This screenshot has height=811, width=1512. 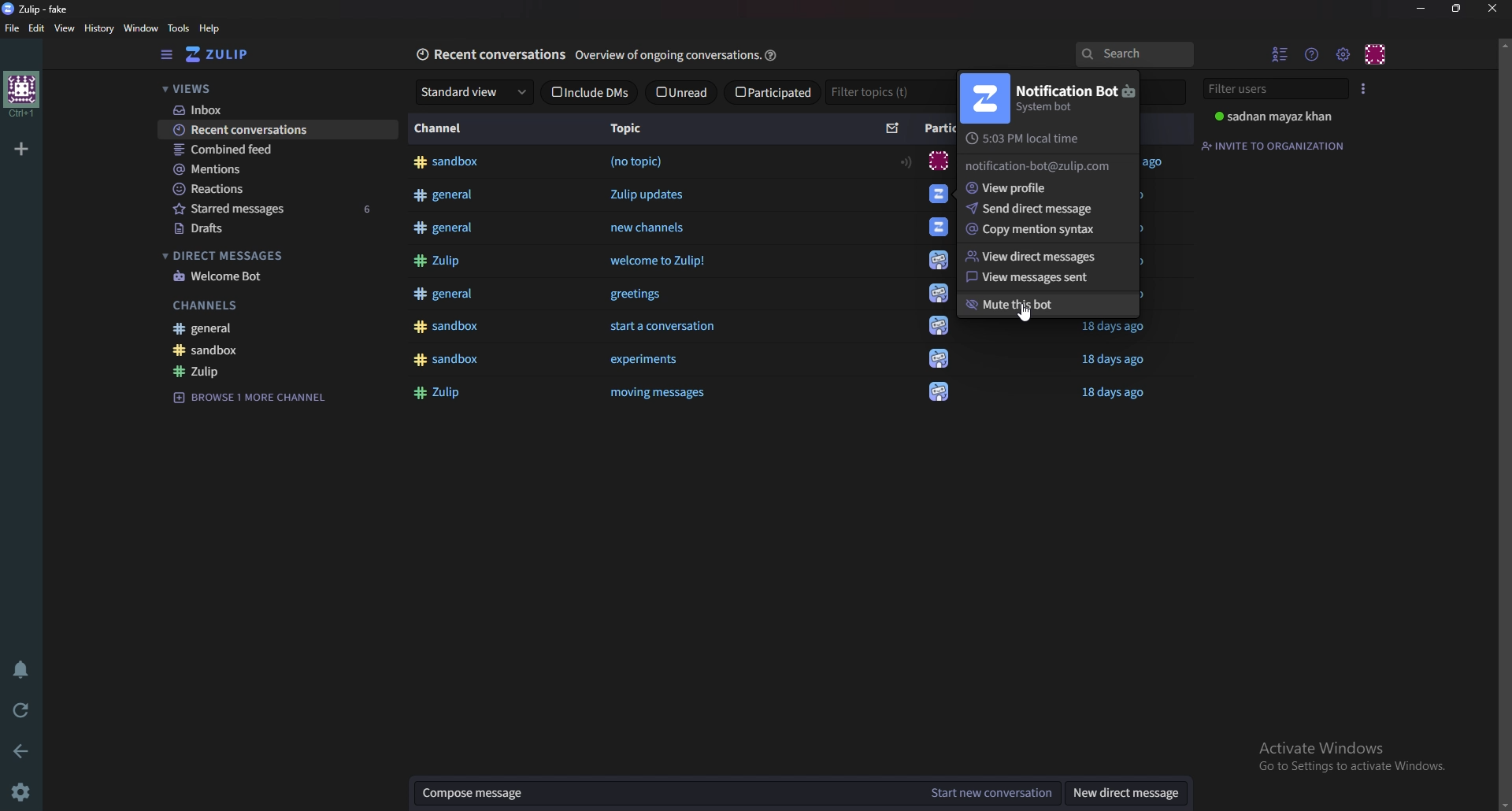 What do you see at coordinates (939, 357) in the screenshot?
I see `icon` at bounding box center [939, 357].